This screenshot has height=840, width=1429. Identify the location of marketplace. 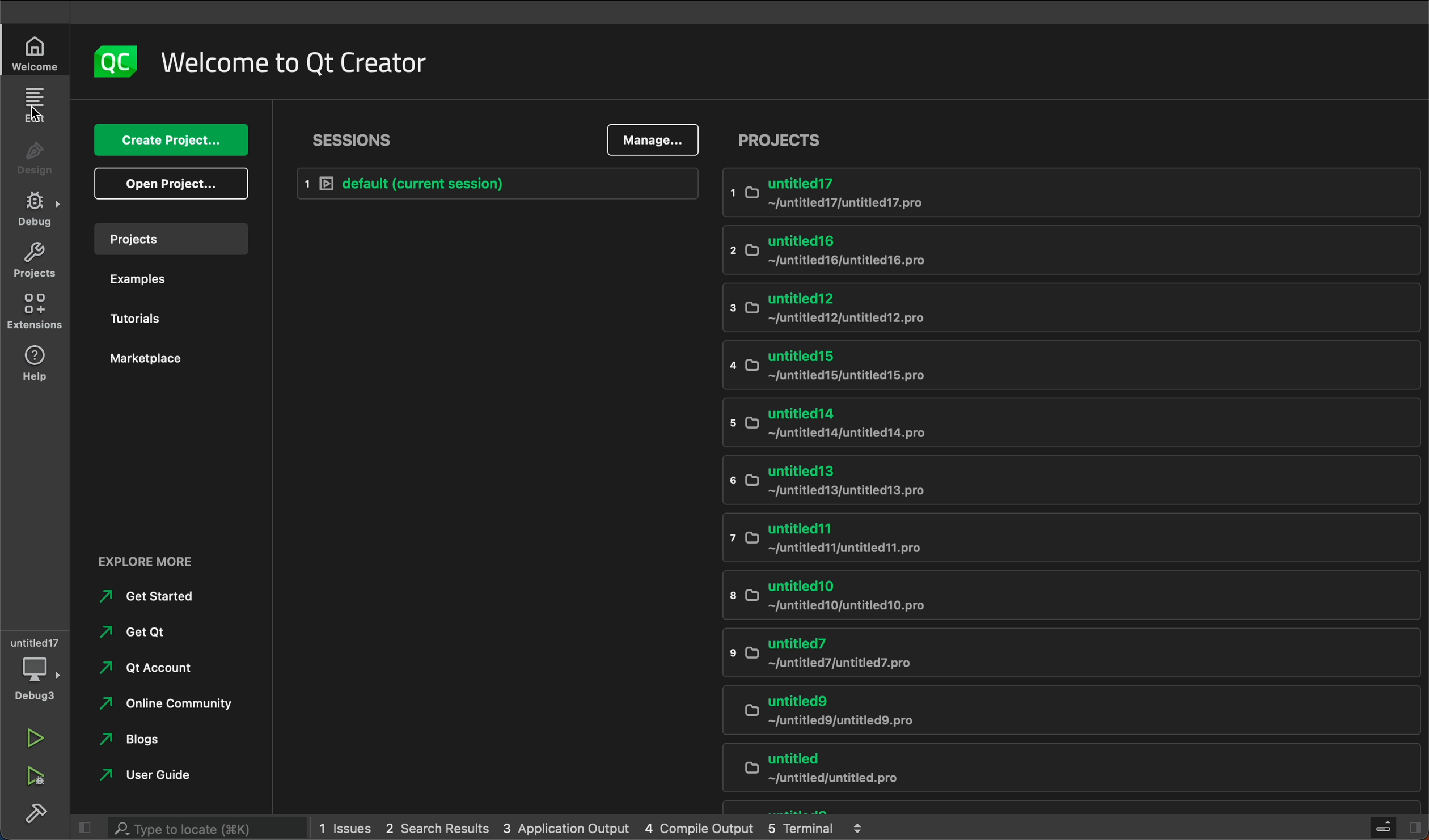
(177, 360).